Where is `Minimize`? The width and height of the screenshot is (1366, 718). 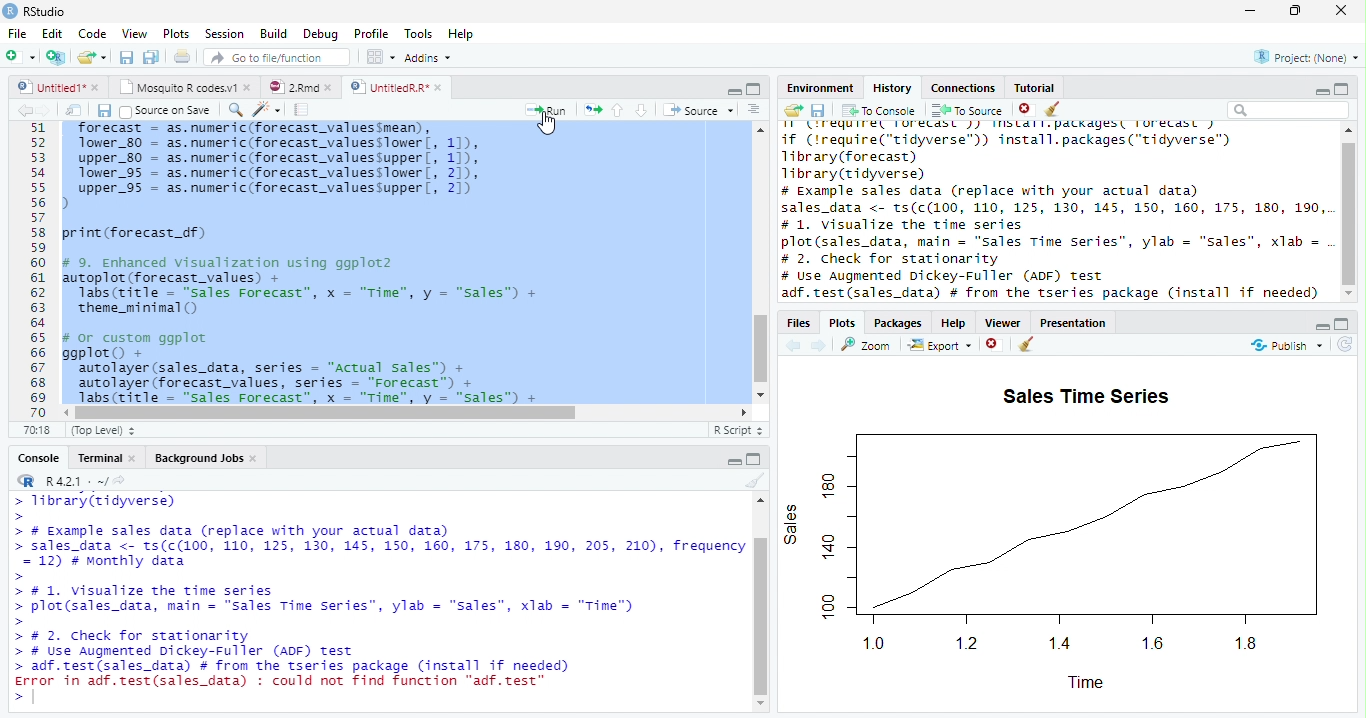 Minimize is located at coordinates (731, 460).